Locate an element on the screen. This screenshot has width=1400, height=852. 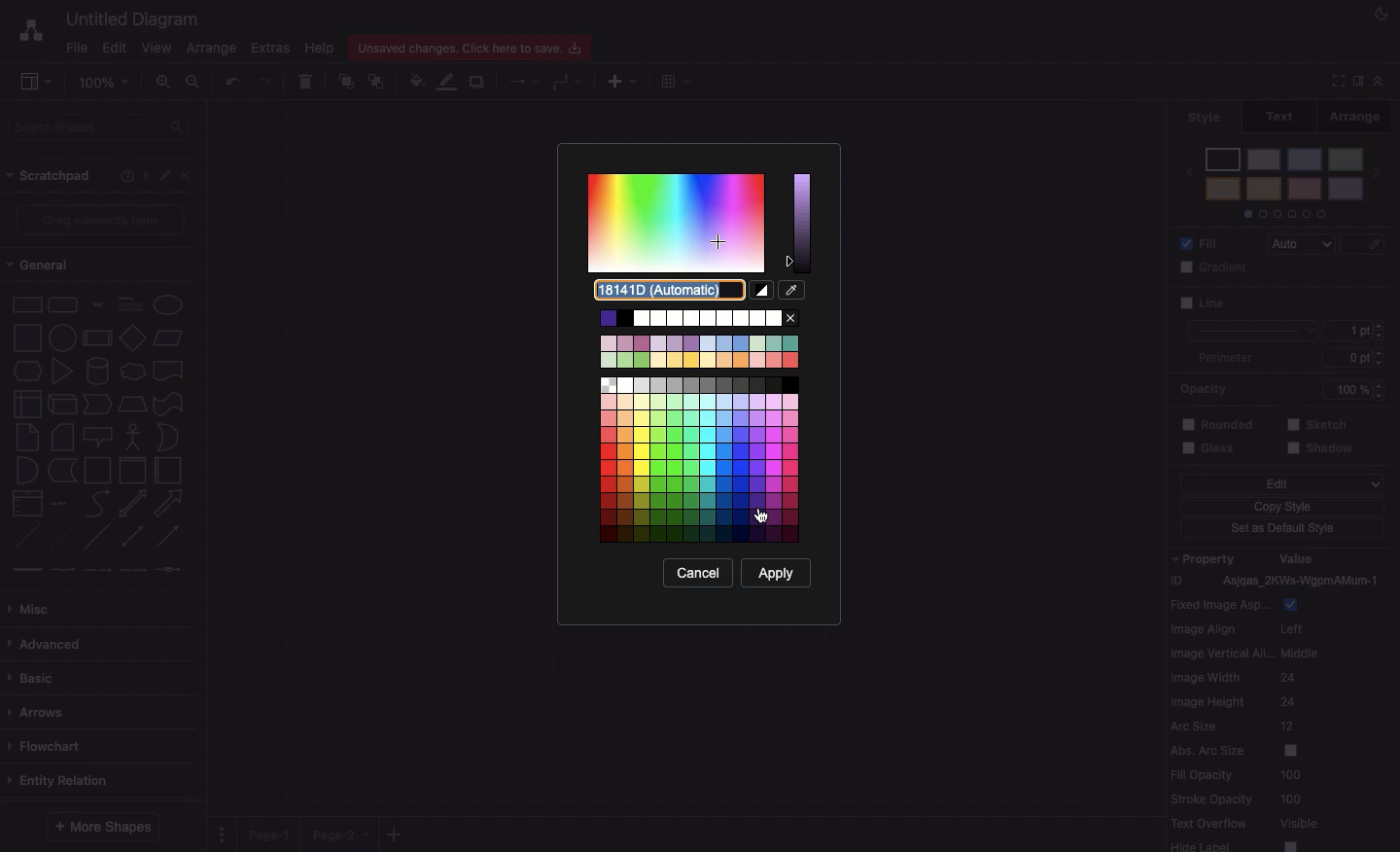
parallelogram is located at coordinates (170, 338).